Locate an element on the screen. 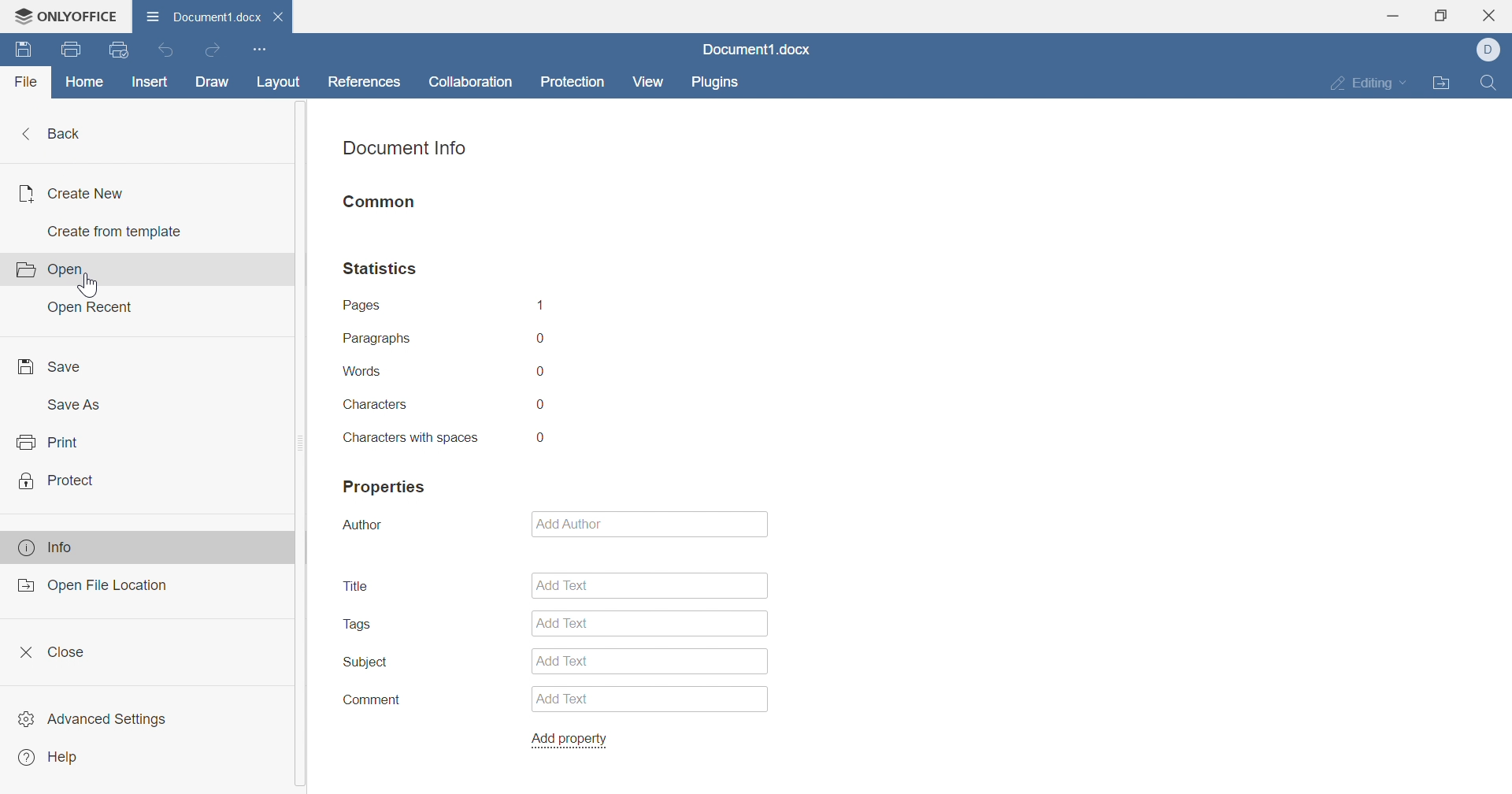  open is located at coordinates (50, 270).